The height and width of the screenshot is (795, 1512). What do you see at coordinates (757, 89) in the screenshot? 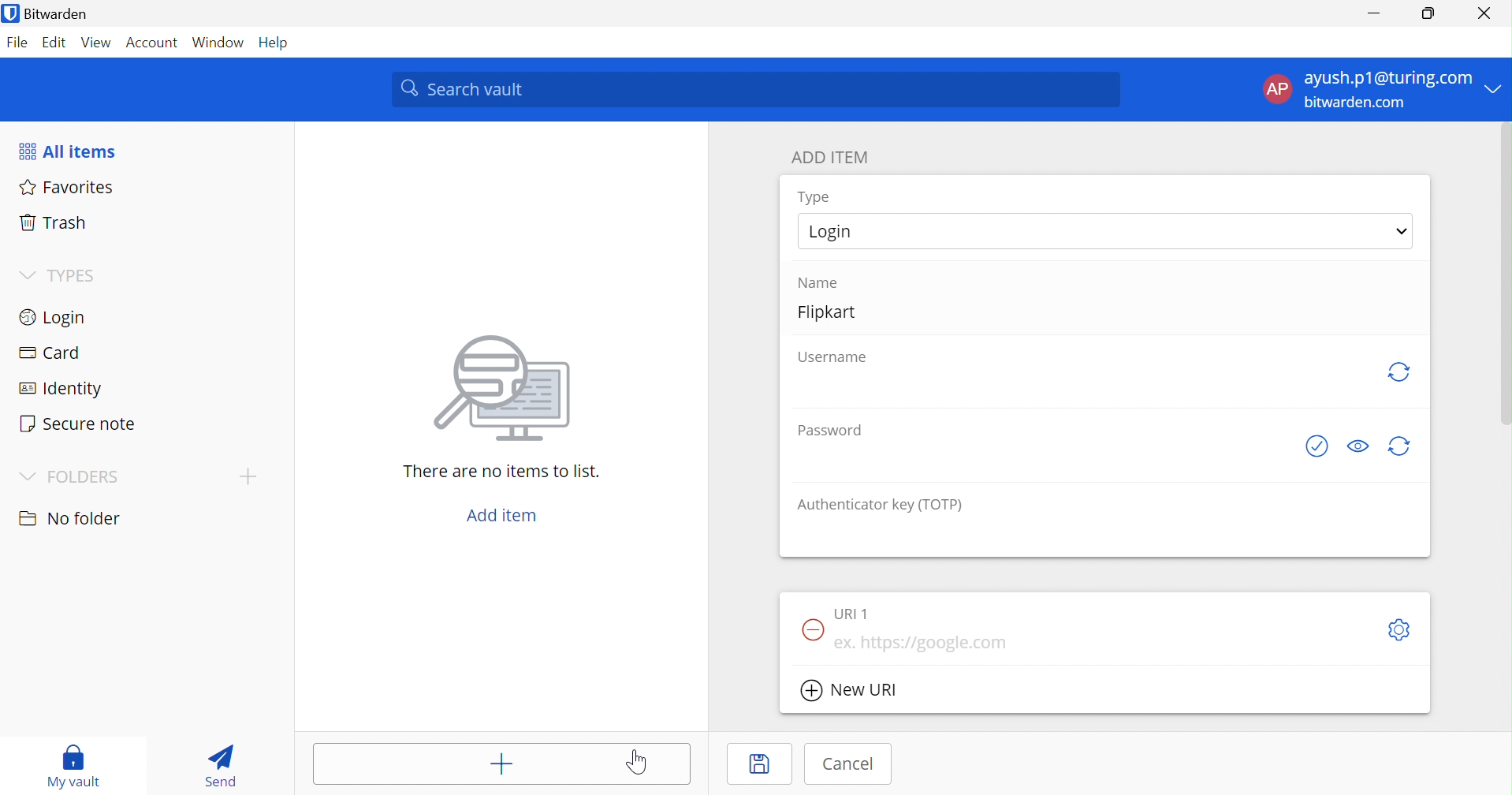
I see `Search Vault` at bounding box center [757, 89].